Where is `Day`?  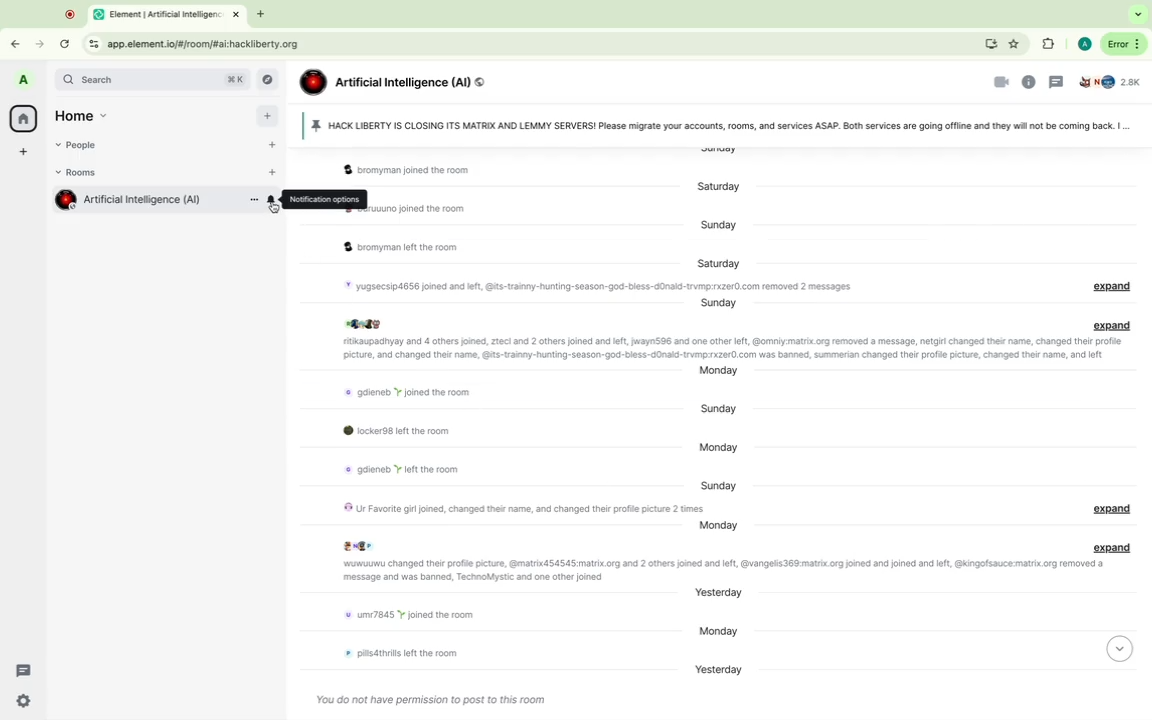 Day is located at coordinates (714, 409).